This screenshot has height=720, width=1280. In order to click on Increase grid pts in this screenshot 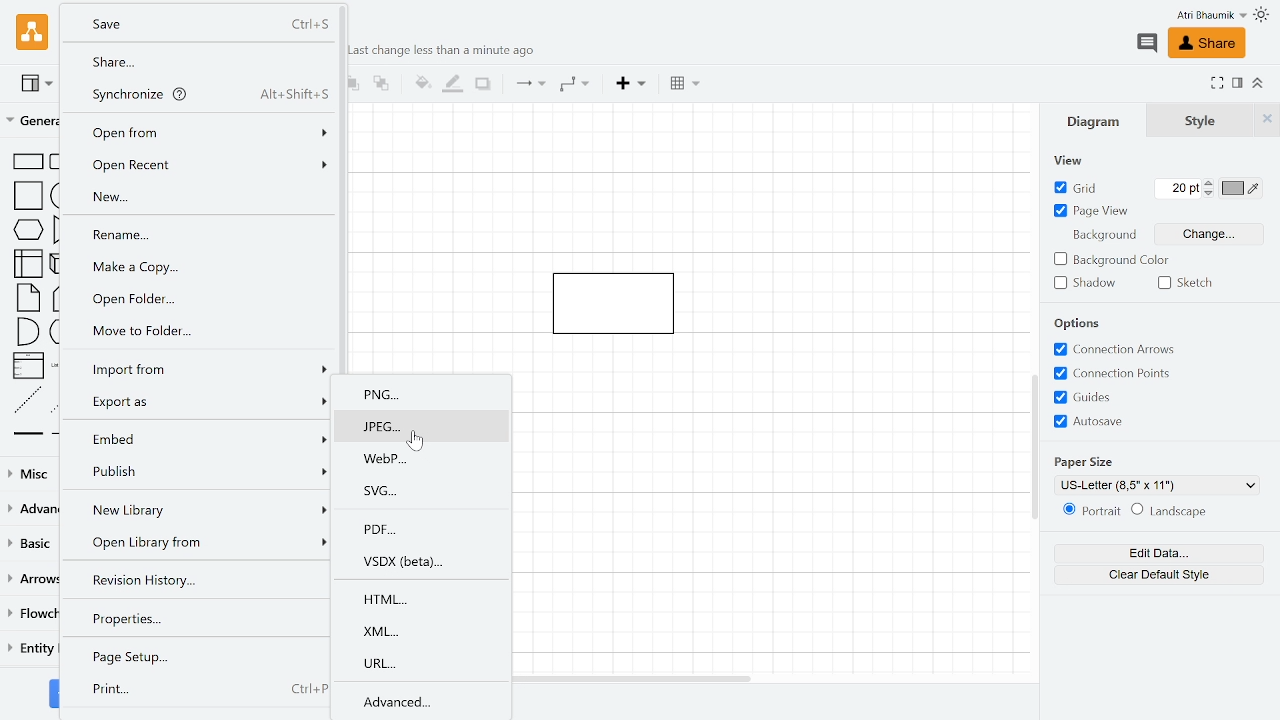, I will do `click(1210, 183)`.